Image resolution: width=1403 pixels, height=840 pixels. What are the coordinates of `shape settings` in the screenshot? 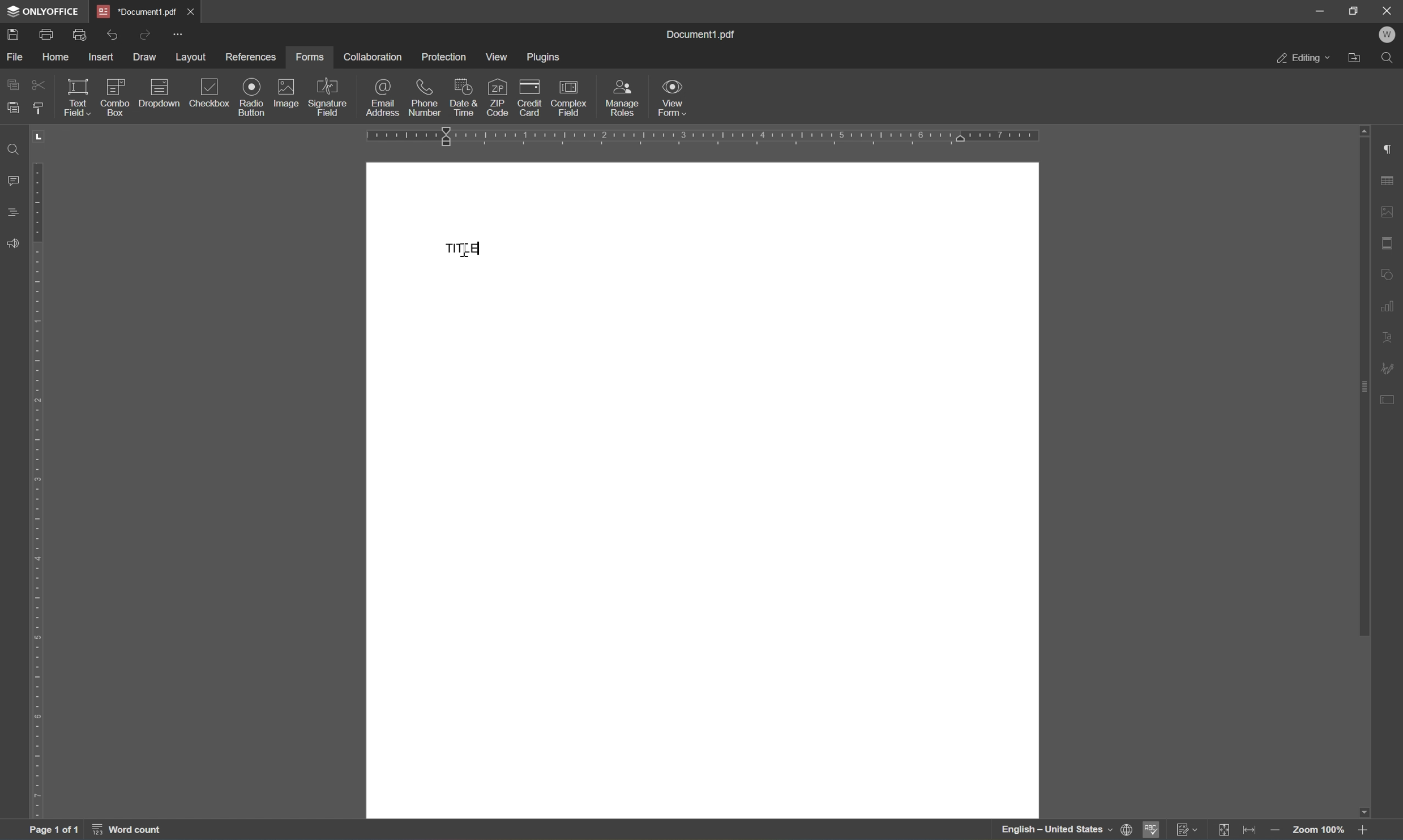 It's located at (1390, 273).